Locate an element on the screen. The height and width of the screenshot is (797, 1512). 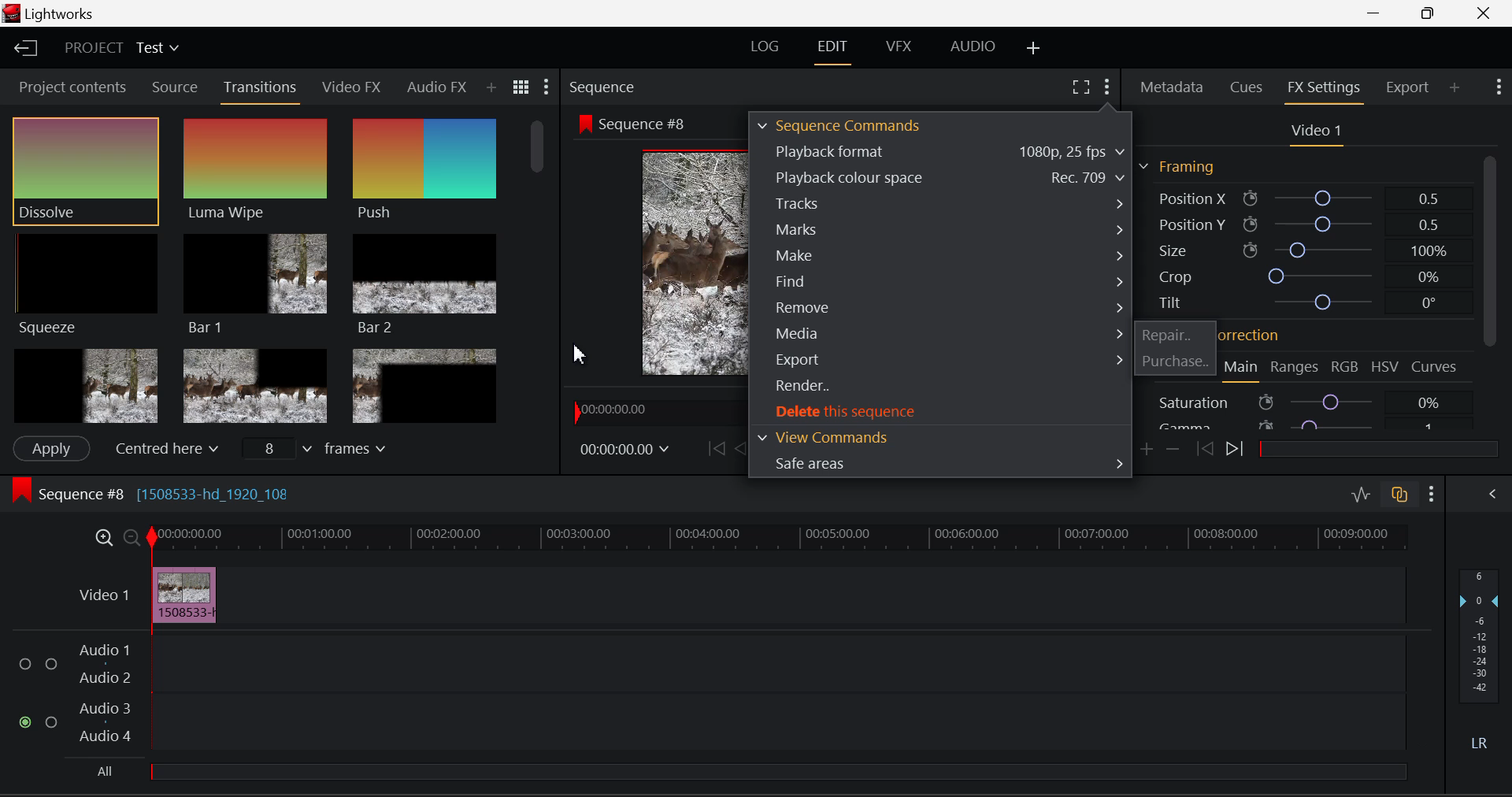
Full Screen is located at coordinates (1080, 87).